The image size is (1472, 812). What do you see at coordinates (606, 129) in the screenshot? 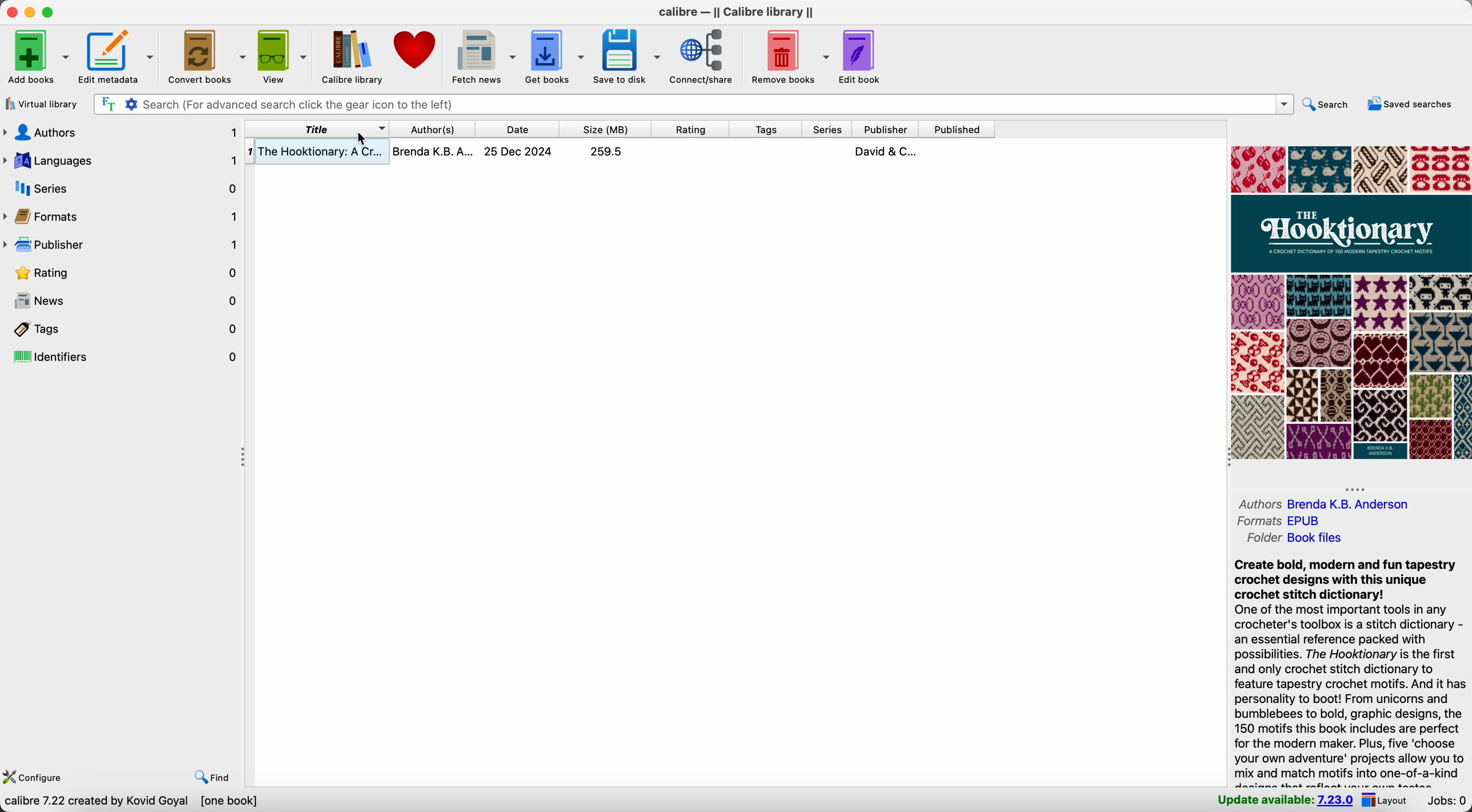
I see `size` at bounding box center [606, 129].